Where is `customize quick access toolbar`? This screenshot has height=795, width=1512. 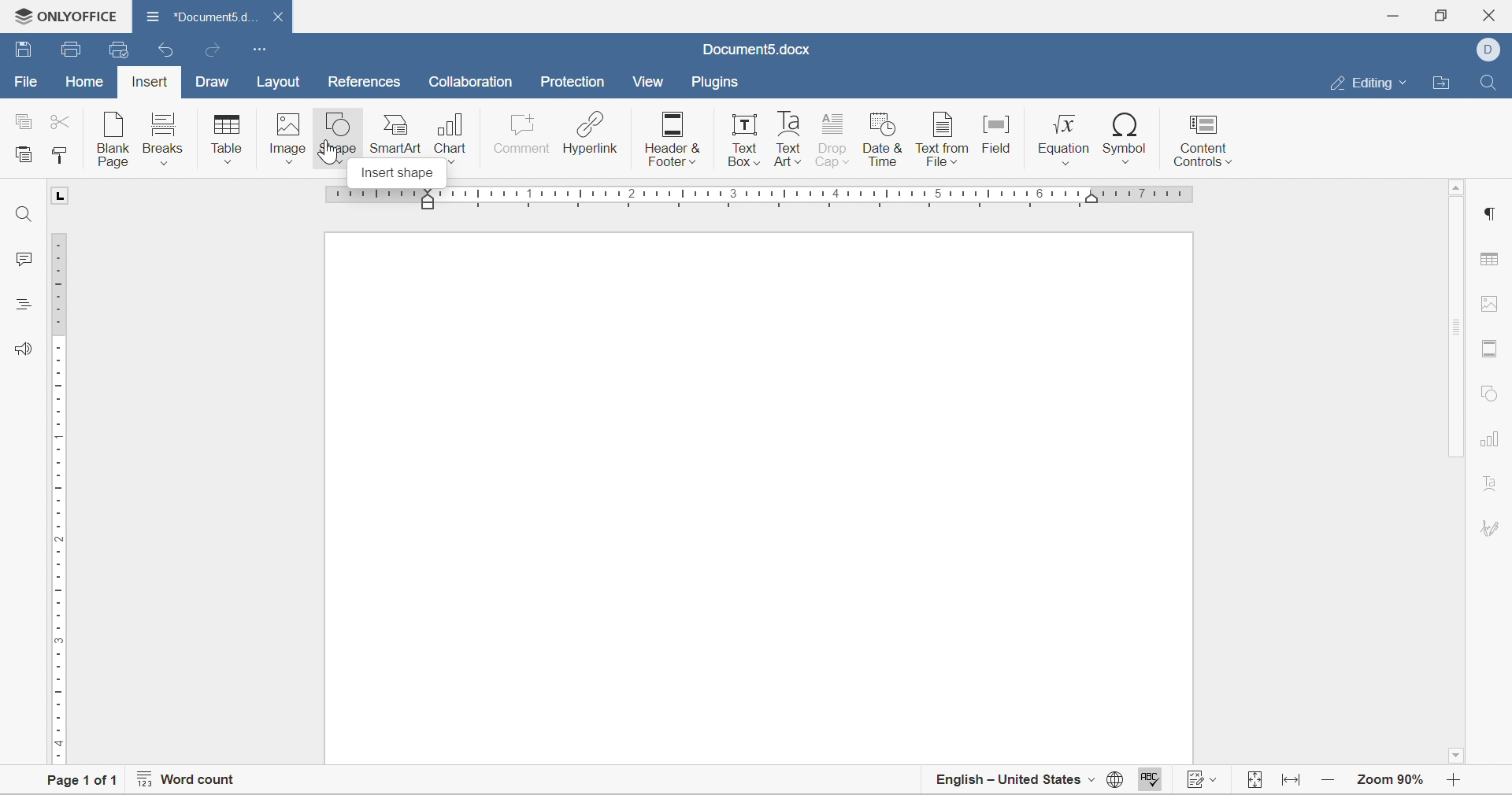 customize quick access toolbar is located at coordinates (258, 48).